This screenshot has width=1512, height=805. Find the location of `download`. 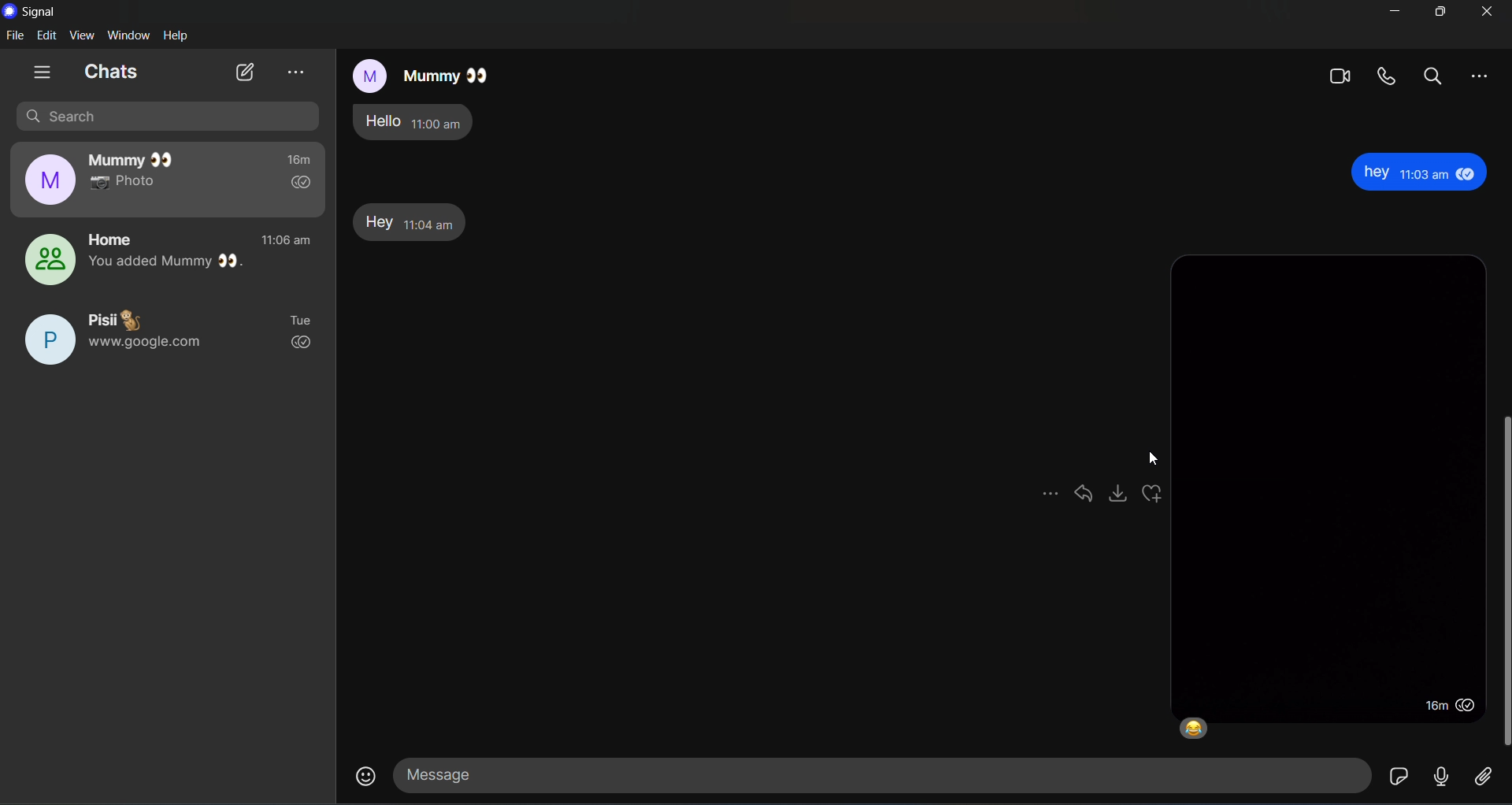

download is located at coordinates (1121, 498).